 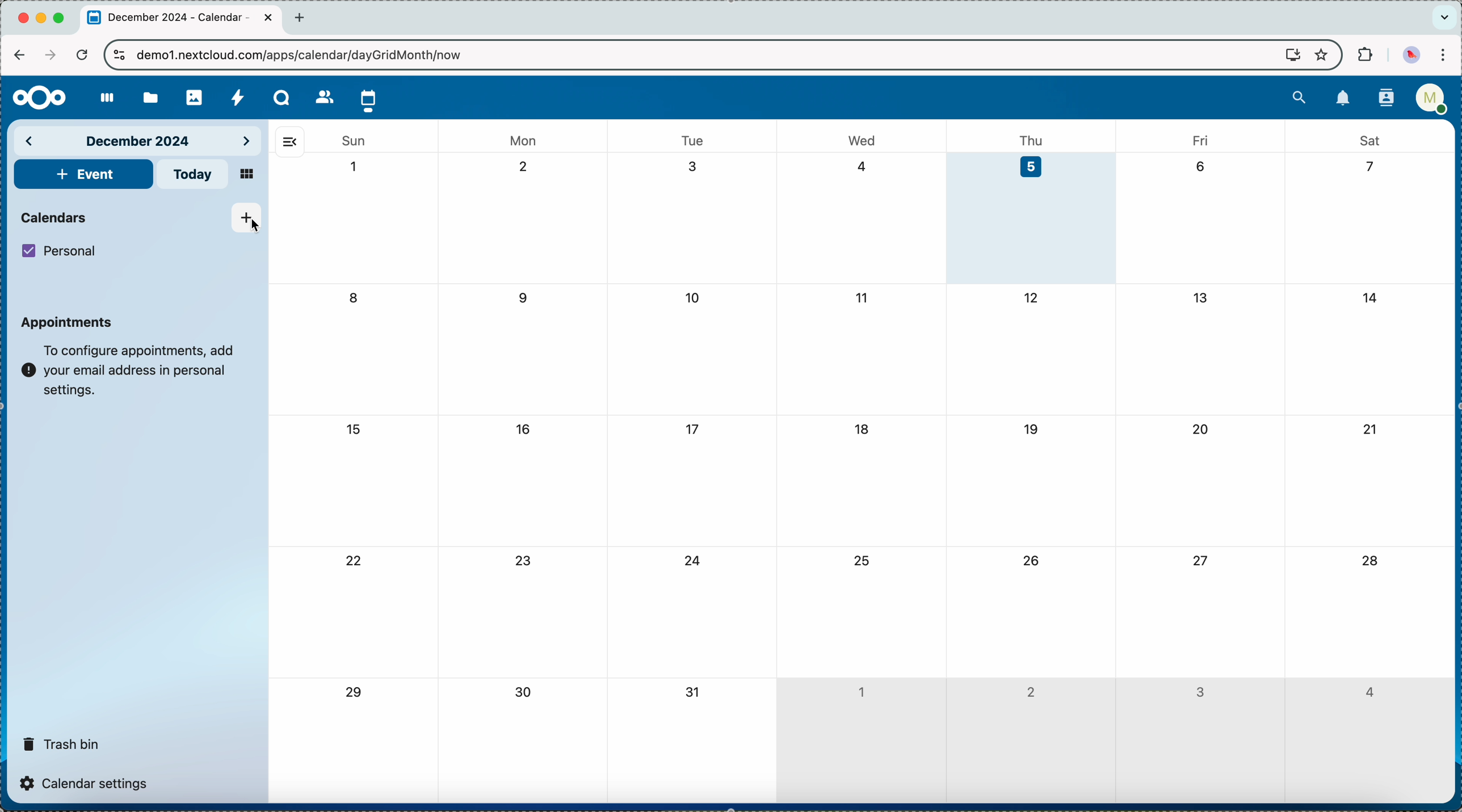 I want to click on contacts, so click(x=1383, y=99).